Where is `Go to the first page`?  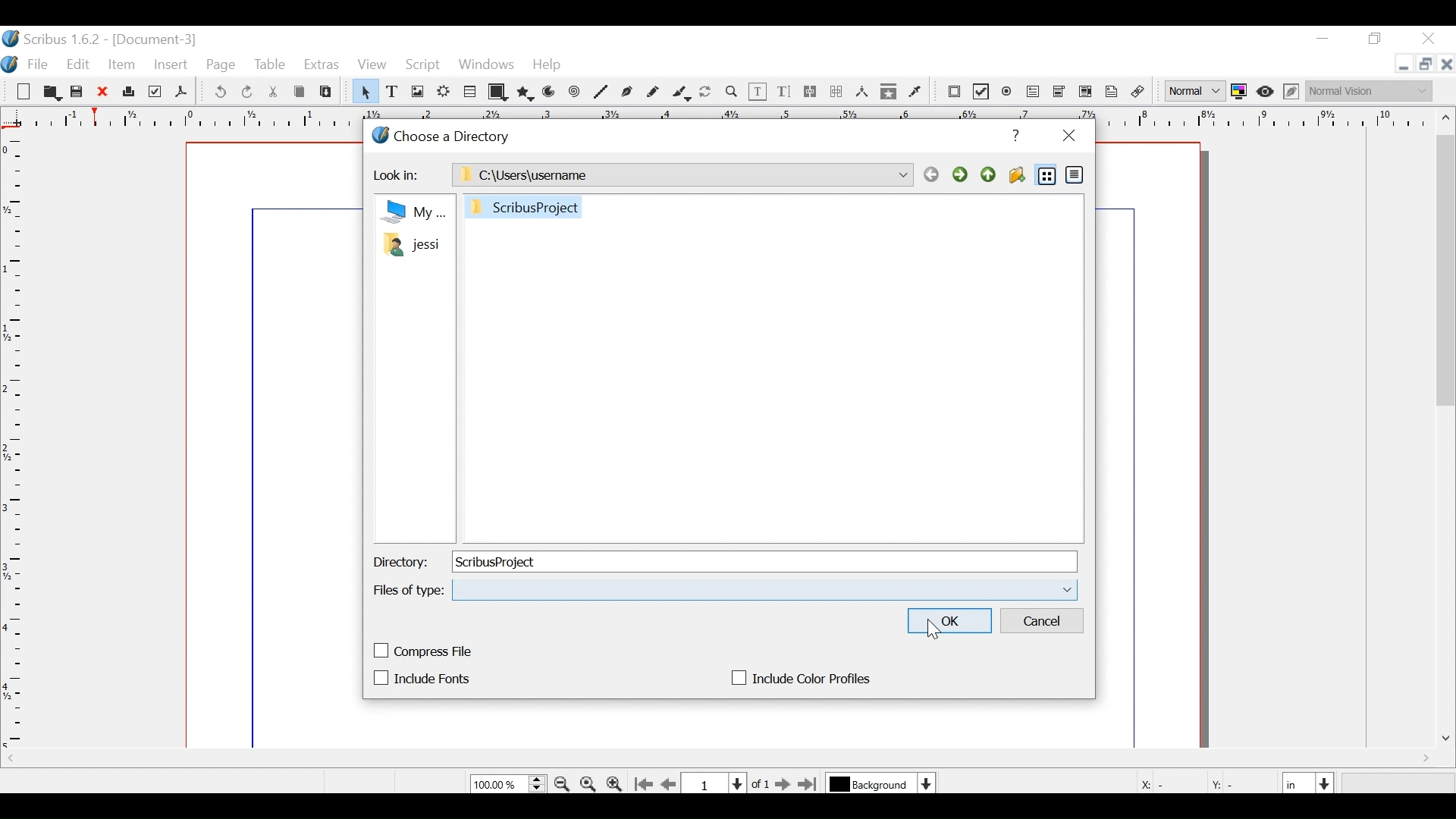 Go to the first page is located at coordinates (645, 783).